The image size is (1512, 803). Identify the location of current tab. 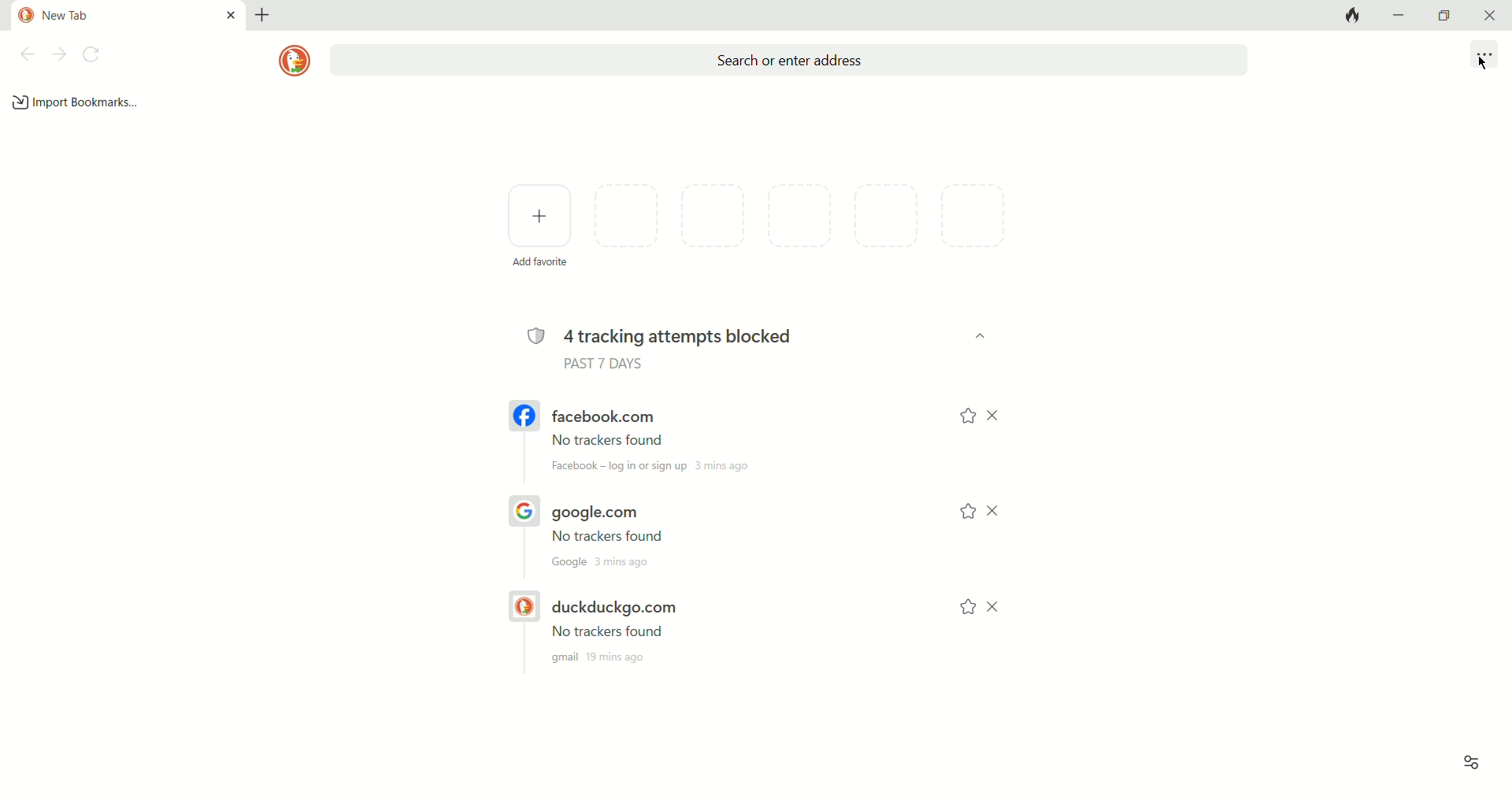
(124, 16).